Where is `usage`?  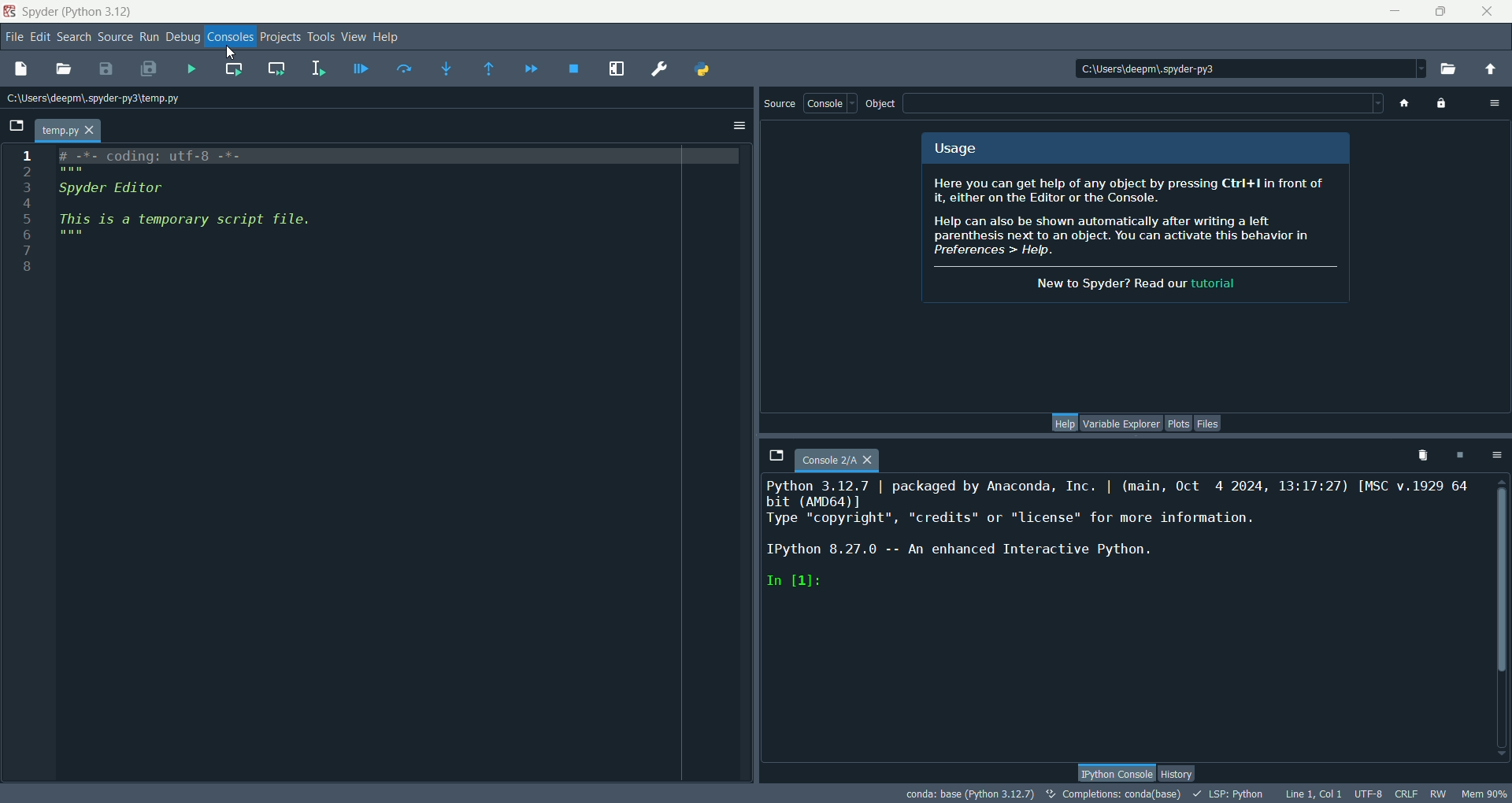 usage is located at coordinates (954, 148).